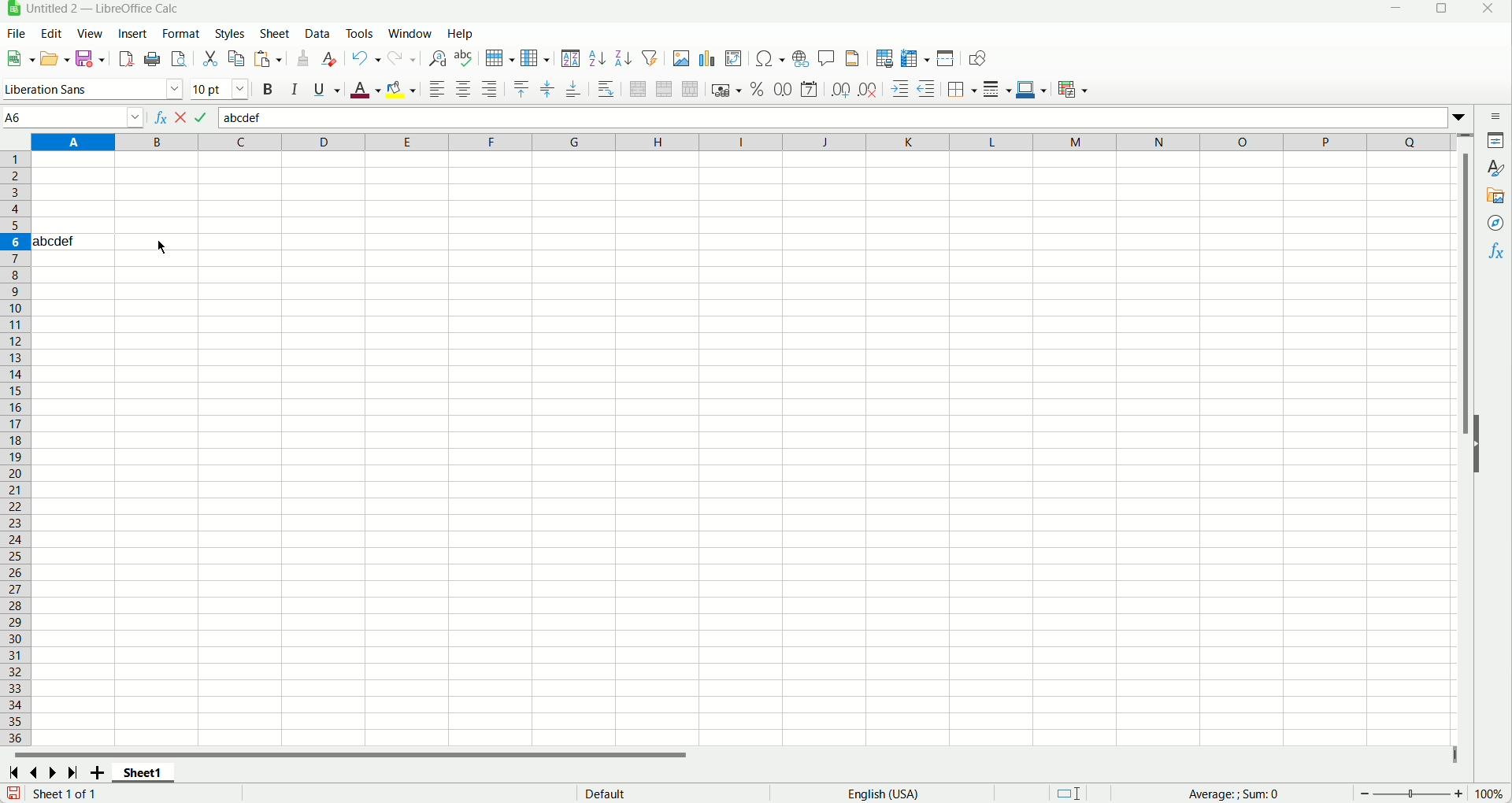  What do you see at coordinates (402, 59) in the screenshot?
I see `redo` at bounding box center [402, 59].